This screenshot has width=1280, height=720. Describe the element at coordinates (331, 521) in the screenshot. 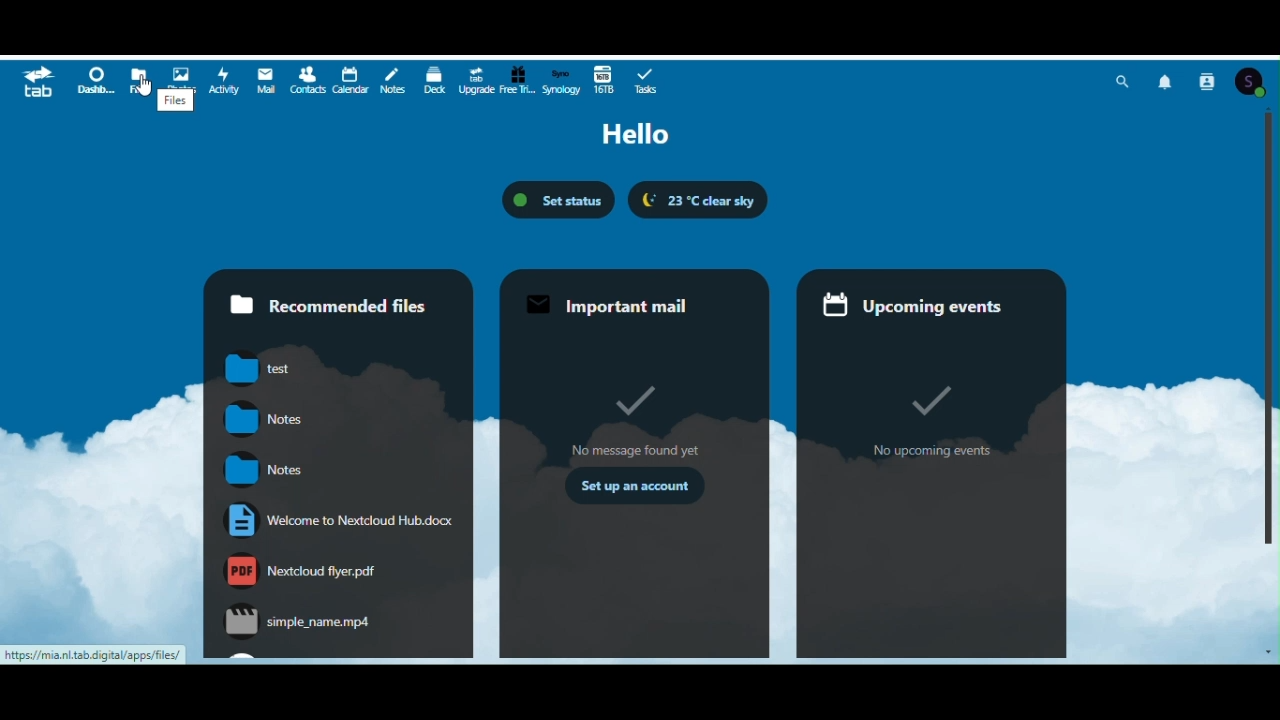

I see `Welcome to Nextcloud.hub.docx` at that location.